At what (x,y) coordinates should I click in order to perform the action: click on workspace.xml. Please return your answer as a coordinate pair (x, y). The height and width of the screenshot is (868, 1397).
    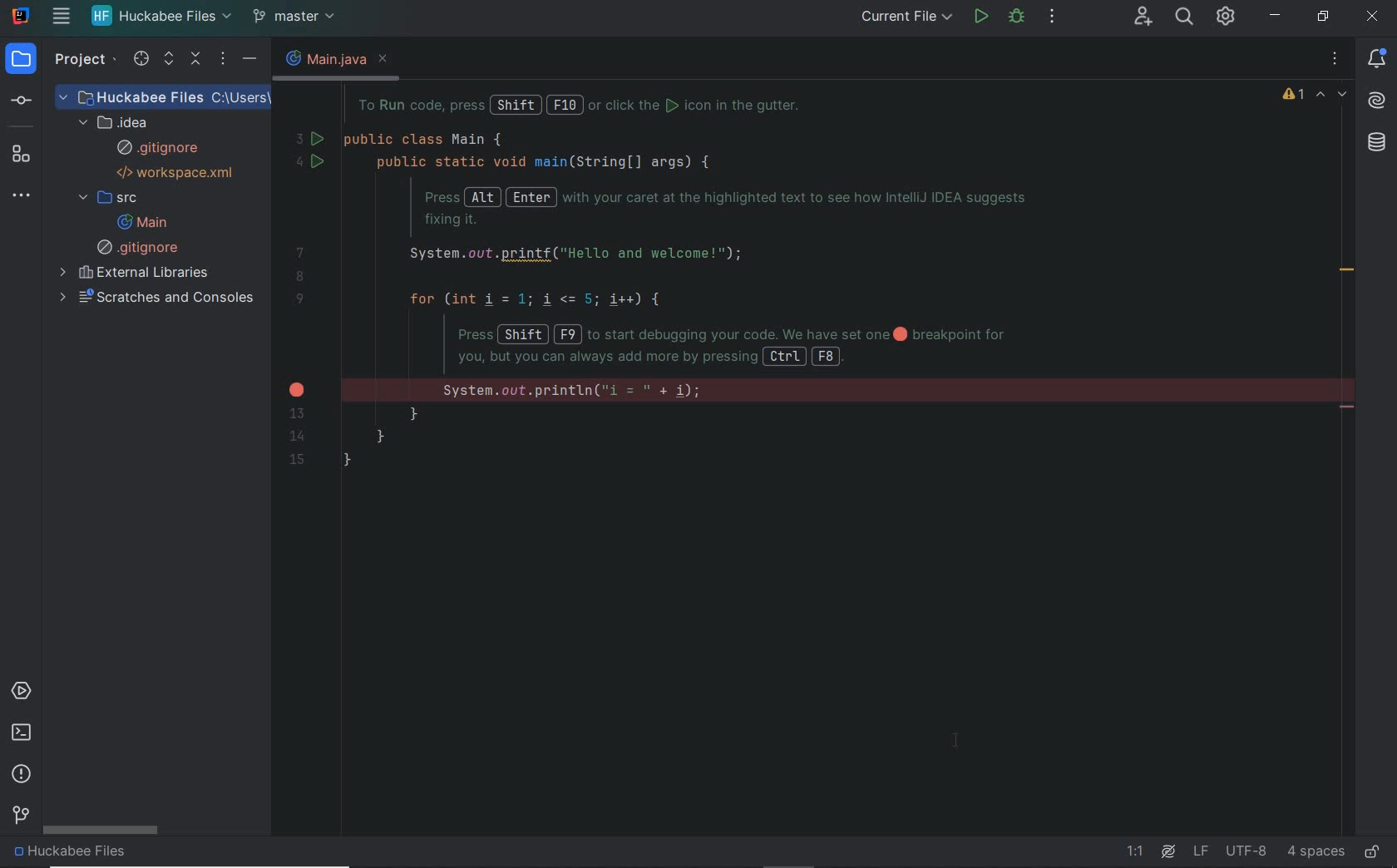
    Looking at the image, I should click on (178, 172).